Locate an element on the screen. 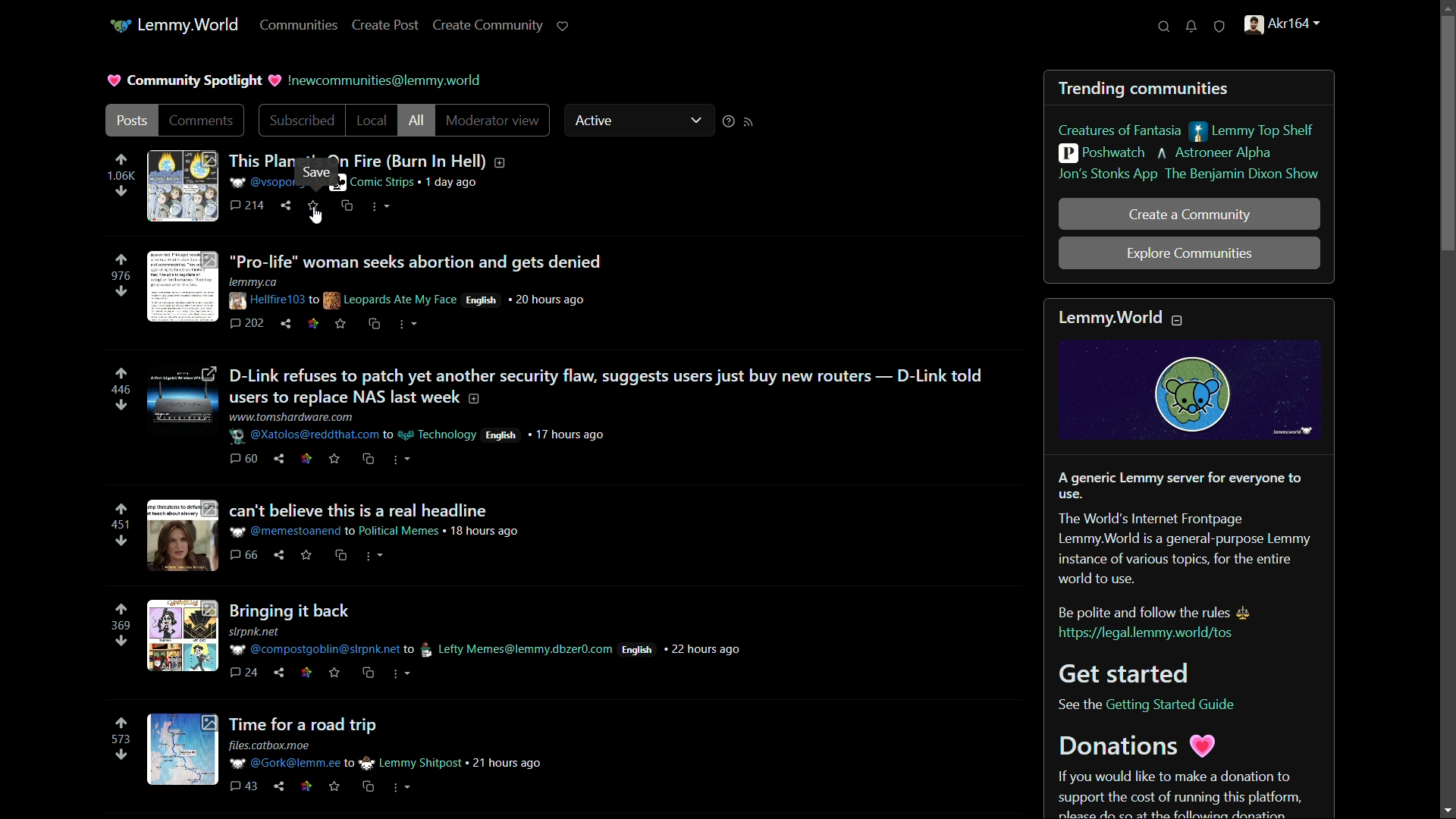 This screenshot has height=819, width=1456. lemmy top shelf is located at coordinates (1250, 131).